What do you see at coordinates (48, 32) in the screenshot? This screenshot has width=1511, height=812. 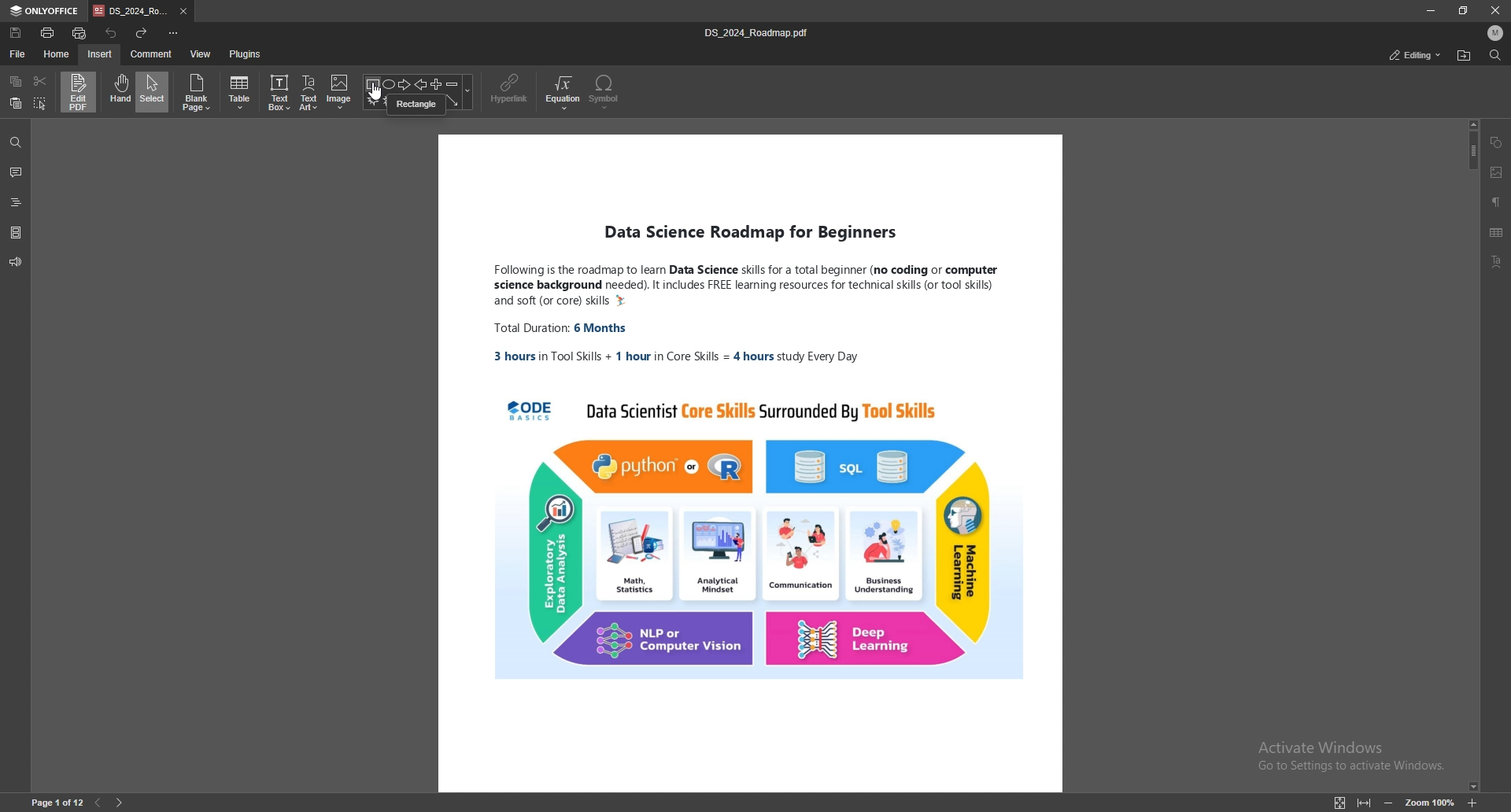 I see `print` at bounding box center [48, 32].